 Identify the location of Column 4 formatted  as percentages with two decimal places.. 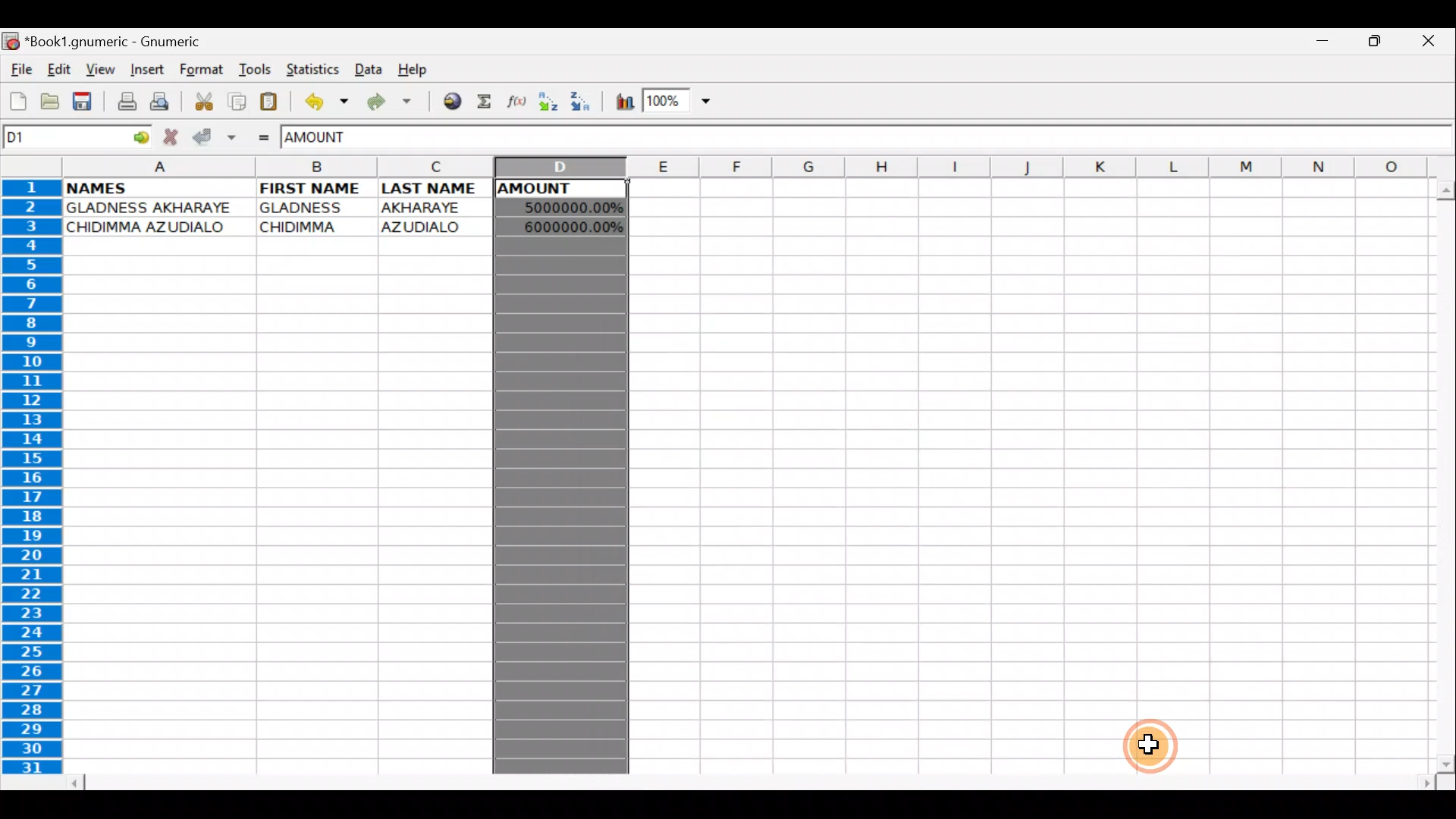
(564, 503).